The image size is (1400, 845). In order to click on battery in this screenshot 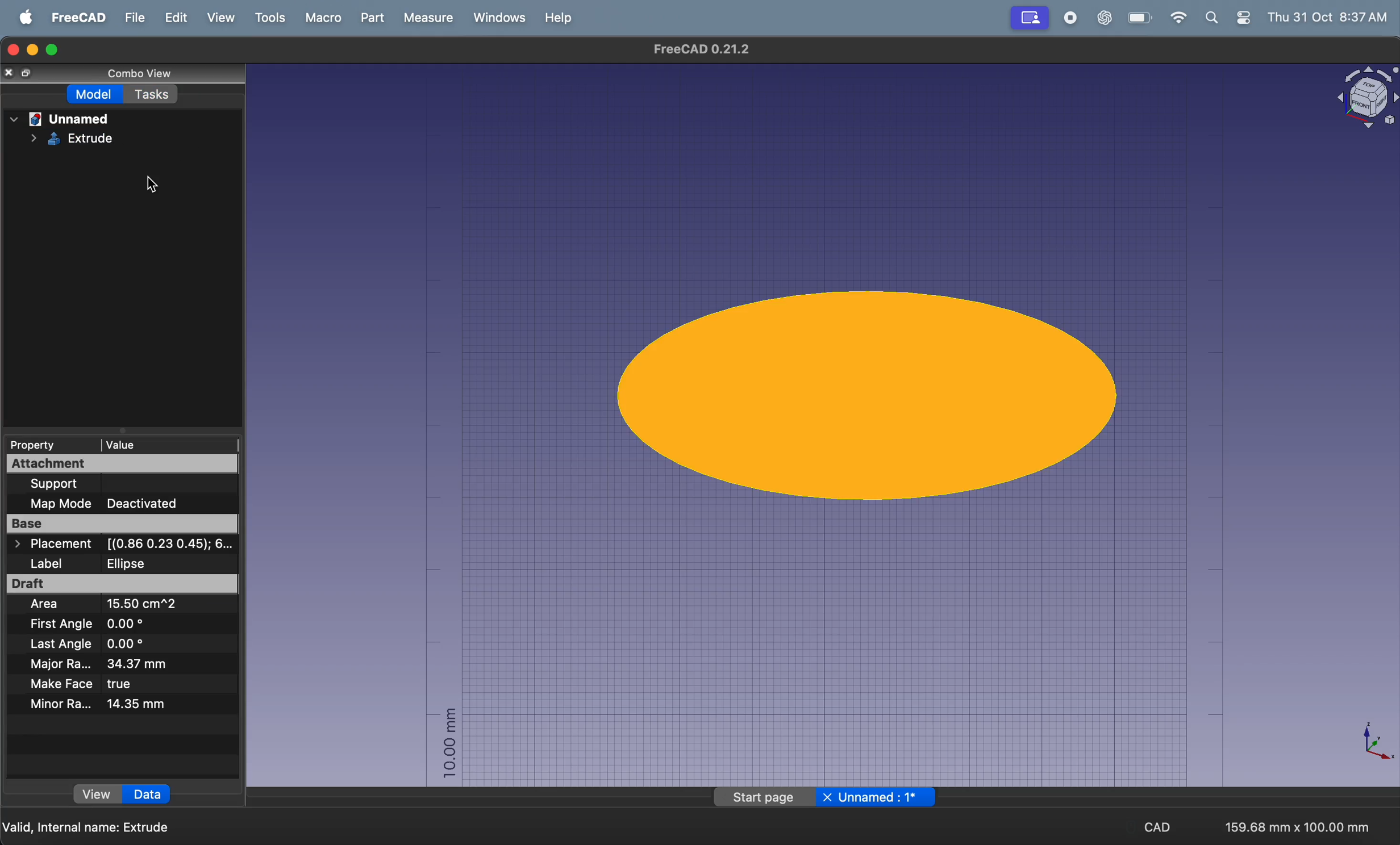, I will do `click(1138, 18)`.